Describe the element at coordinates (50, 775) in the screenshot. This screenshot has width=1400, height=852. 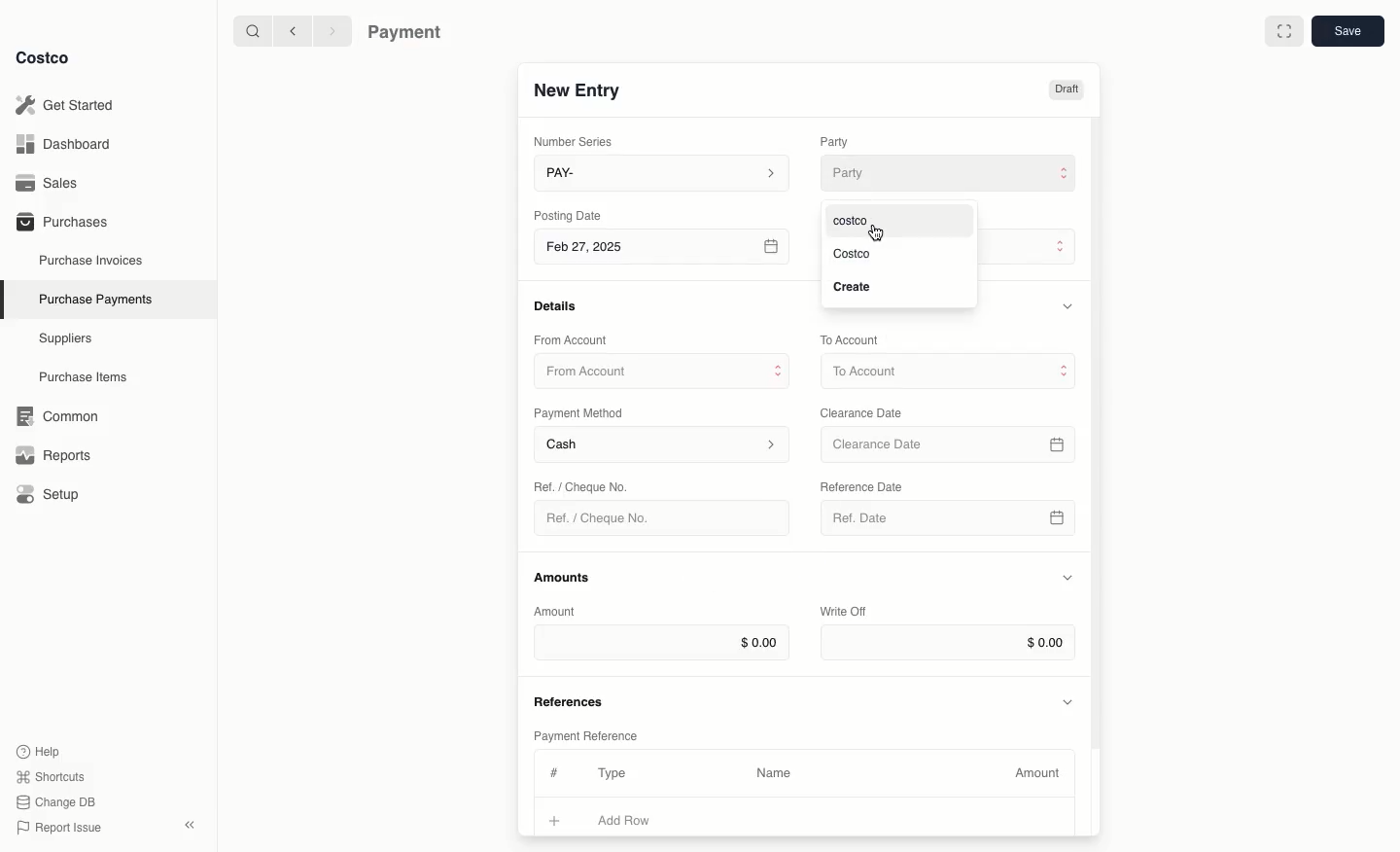
I see `Shortcuts` at that location.